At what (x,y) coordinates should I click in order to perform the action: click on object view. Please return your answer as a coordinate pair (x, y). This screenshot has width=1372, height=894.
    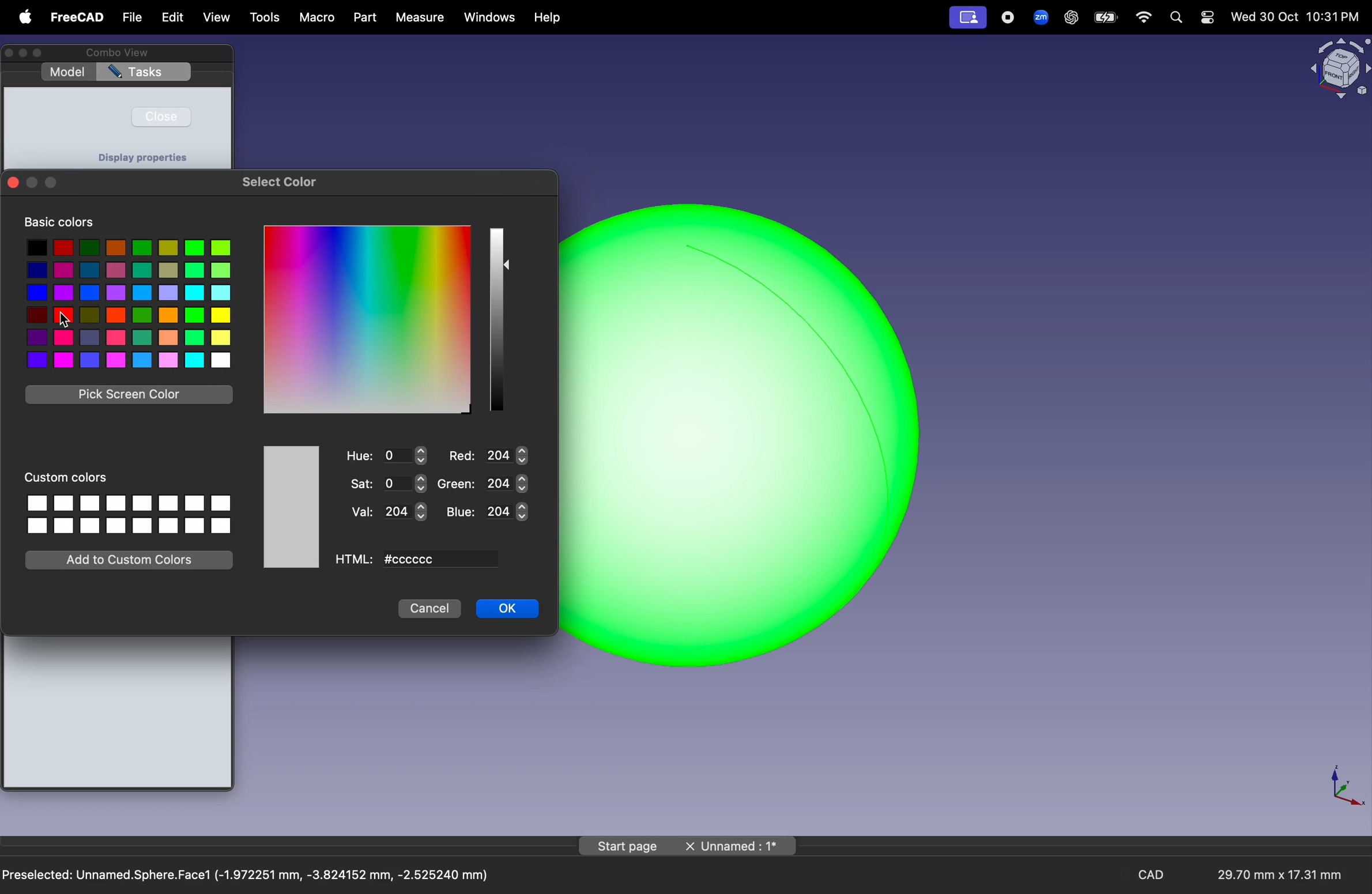
    Looking at the image, I should click on (1338, 67).